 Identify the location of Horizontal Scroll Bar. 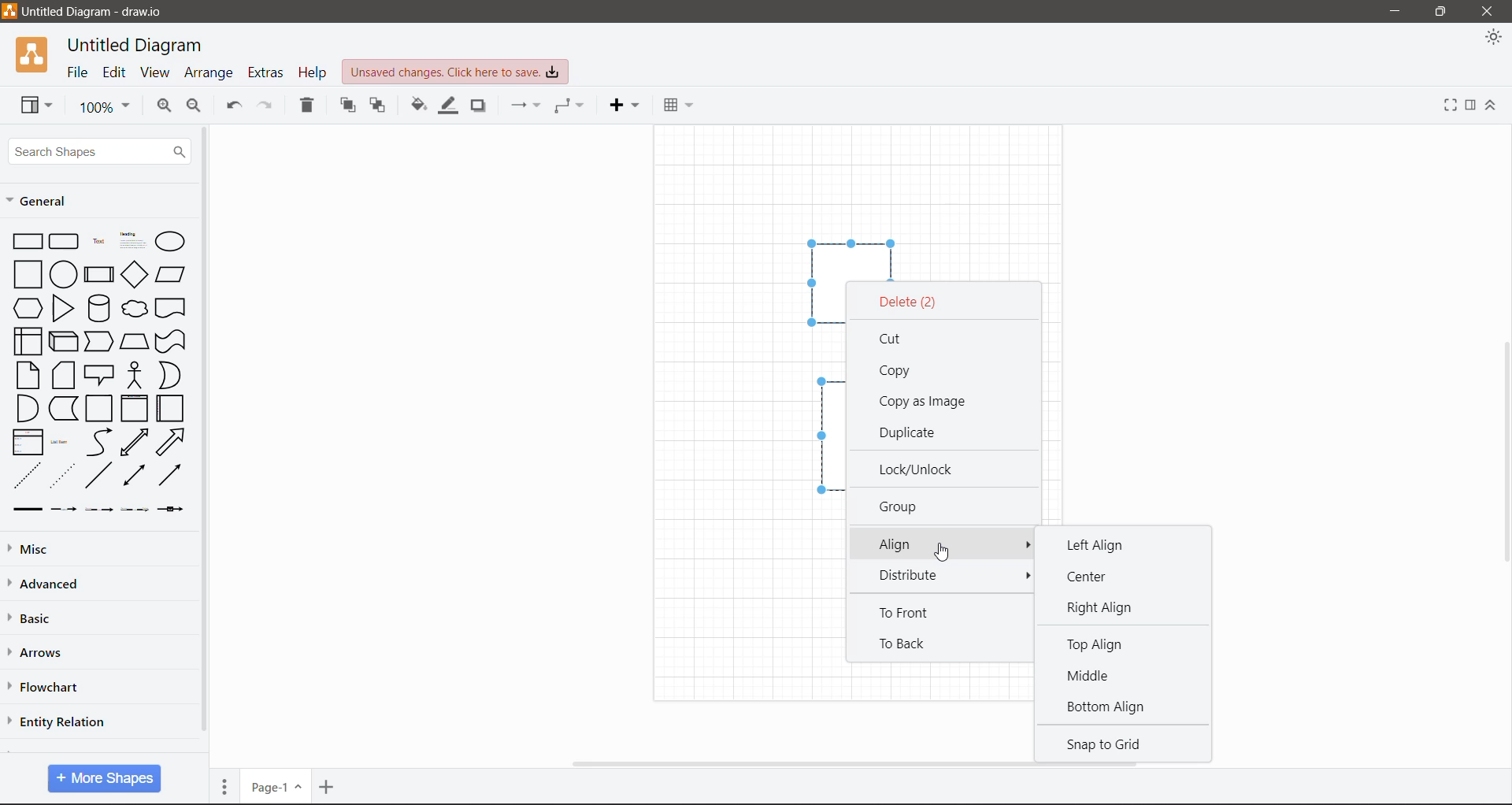
(861, 764).